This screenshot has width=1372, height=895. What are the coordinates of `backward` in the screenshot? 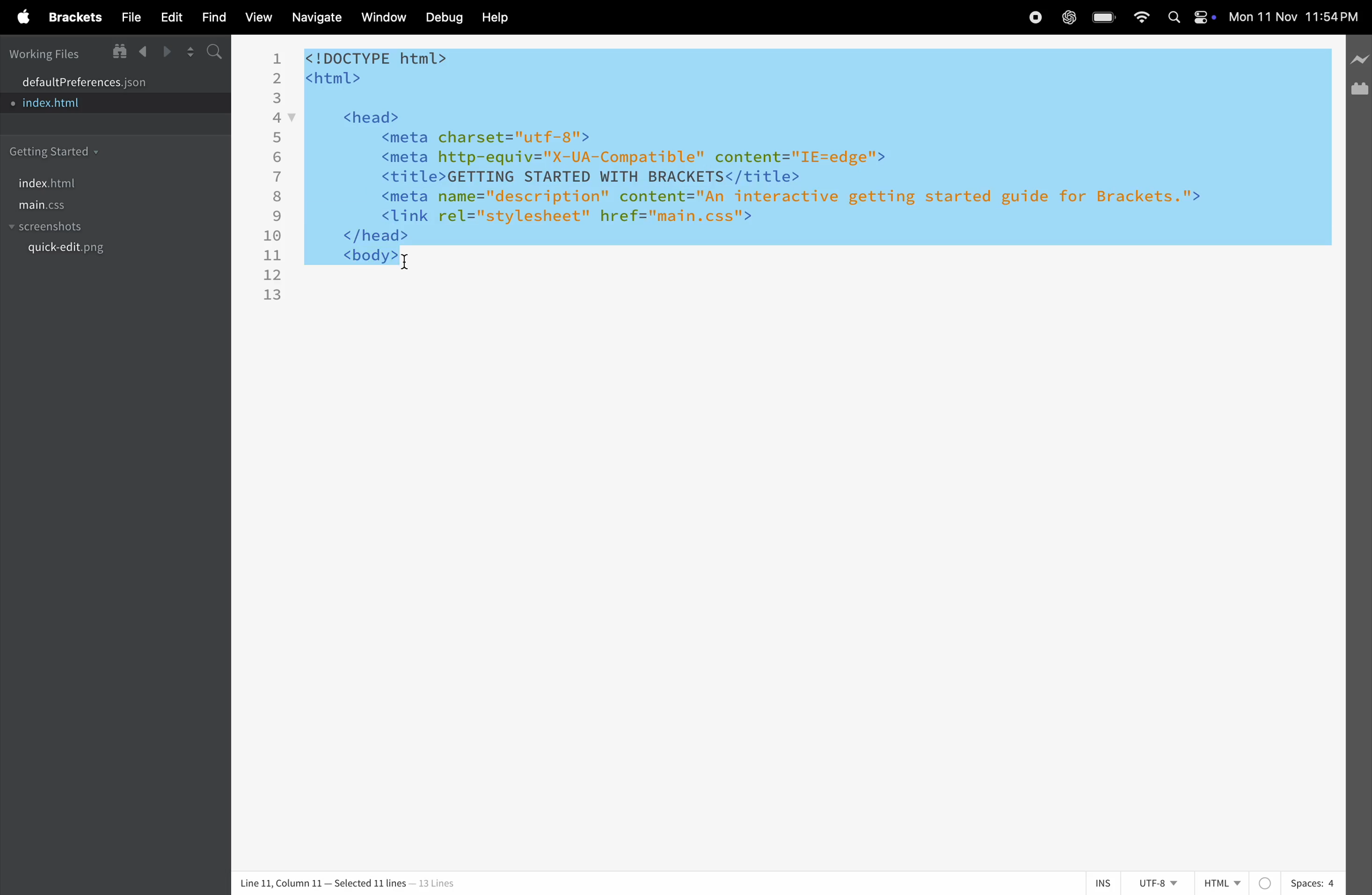 It's located at (142, 52).